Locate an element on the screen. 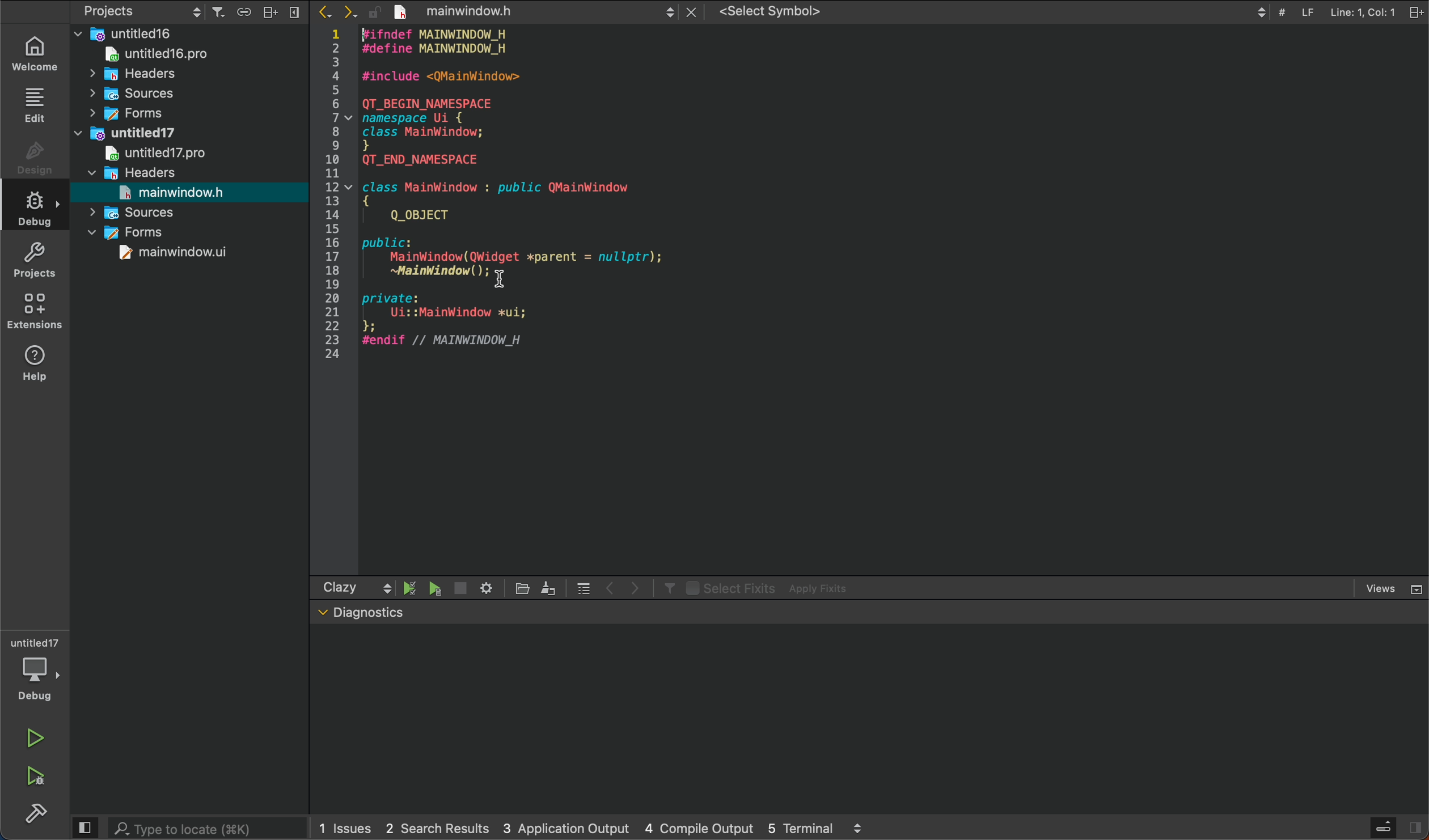 Image resolution: width=1429 pixels, height=840 pixels. Back is located at coordinates (324, 12).